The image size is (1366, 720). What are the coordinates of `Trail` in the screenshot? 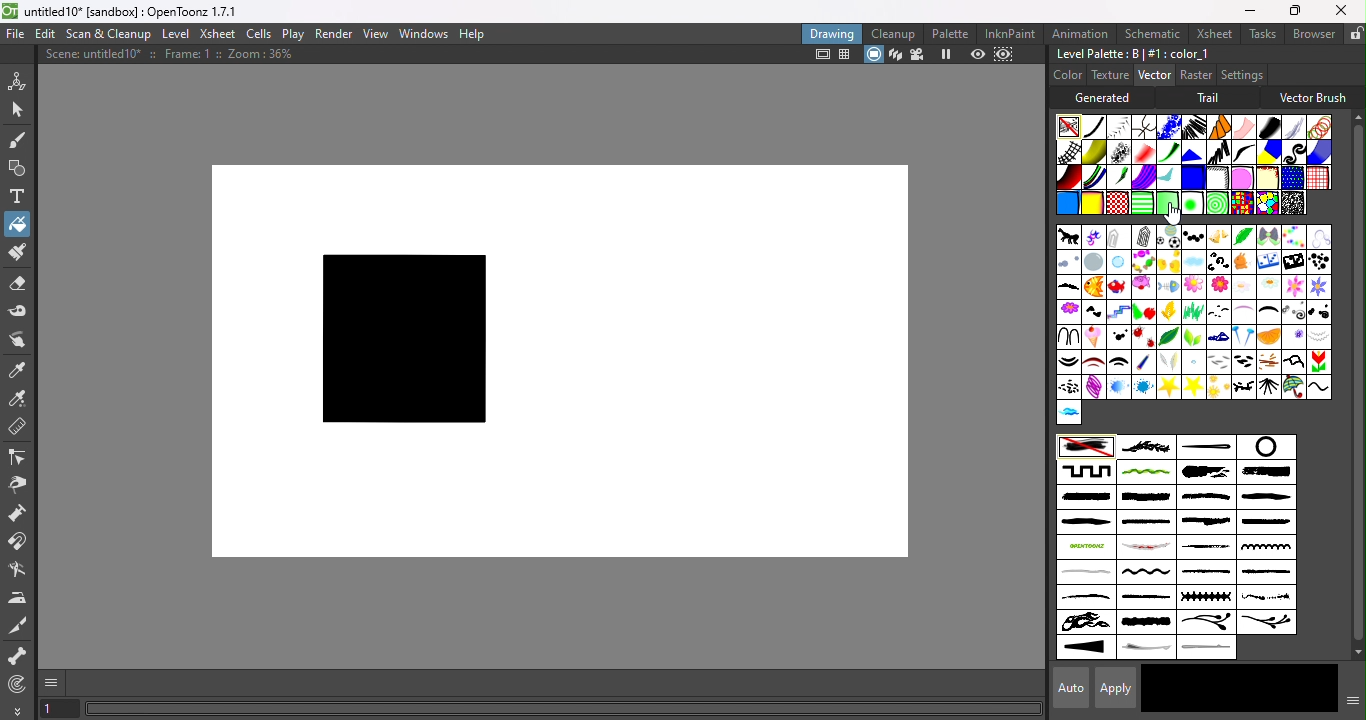 It's located at (1211, 98).